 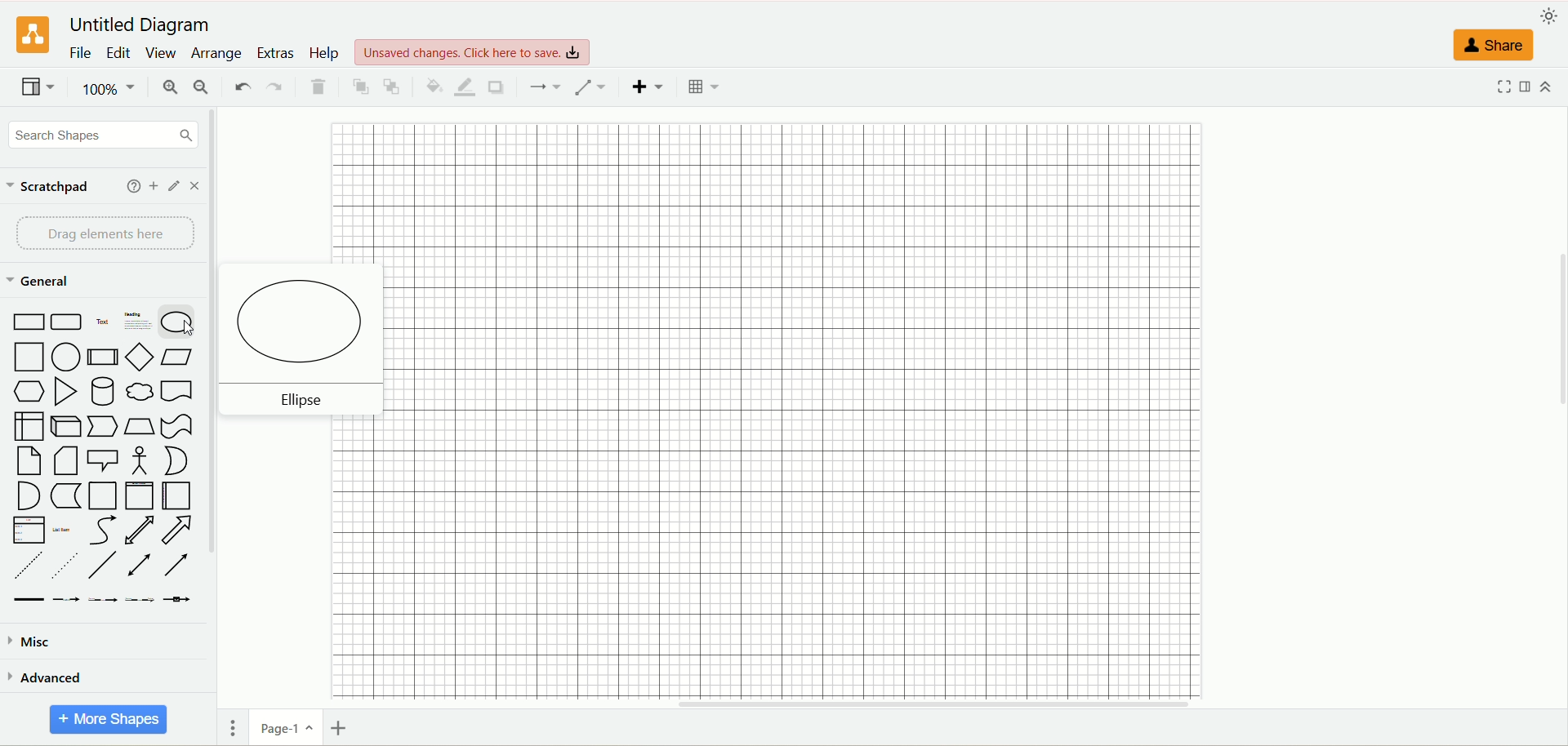 What do you see at coordinates (65, 531) in the screenshot?
I see `list items` at bounding box center [65, 531].